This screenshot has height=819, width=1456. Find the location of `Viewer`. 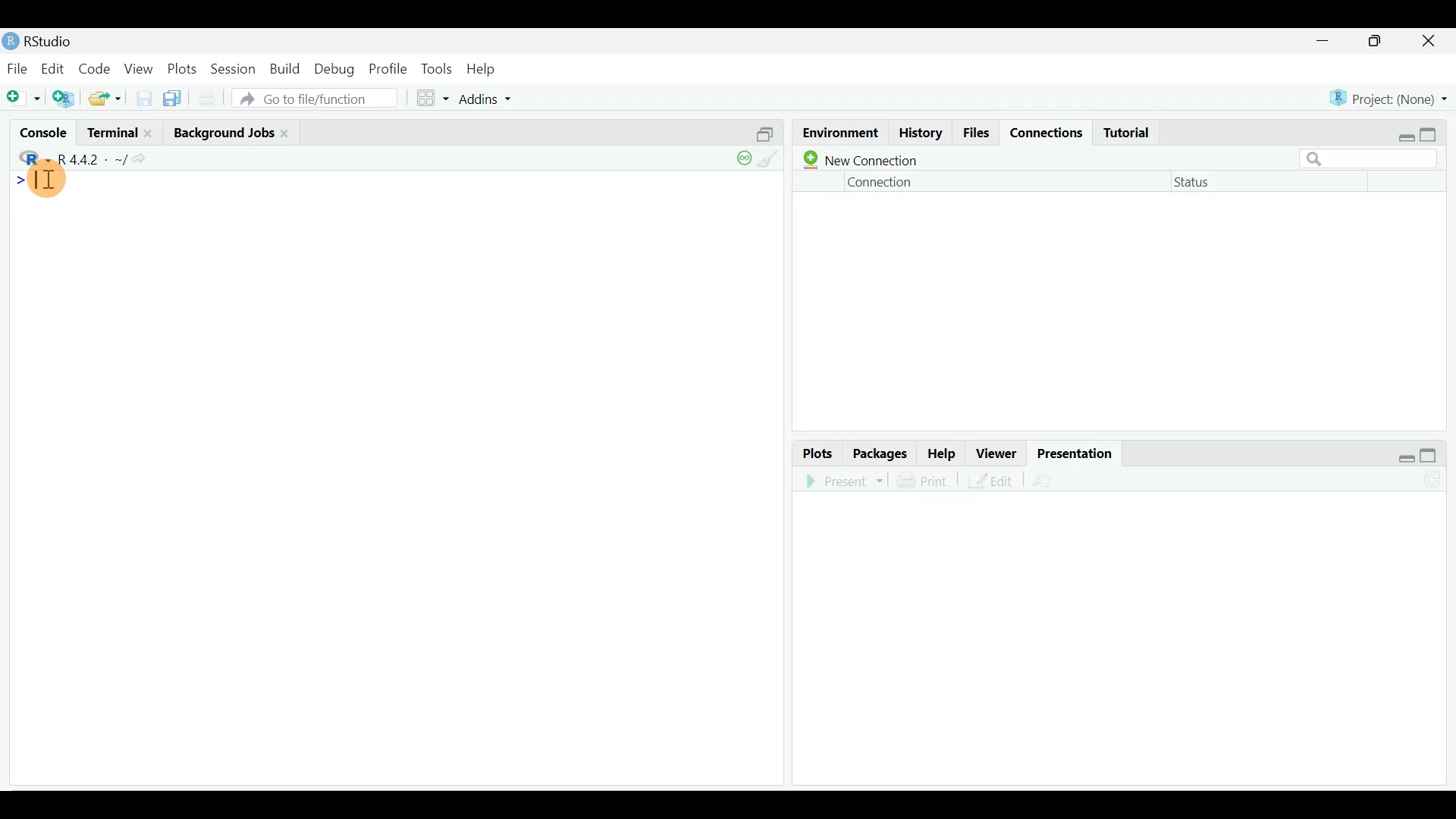

Viewer is located at coordinates (998, 452).